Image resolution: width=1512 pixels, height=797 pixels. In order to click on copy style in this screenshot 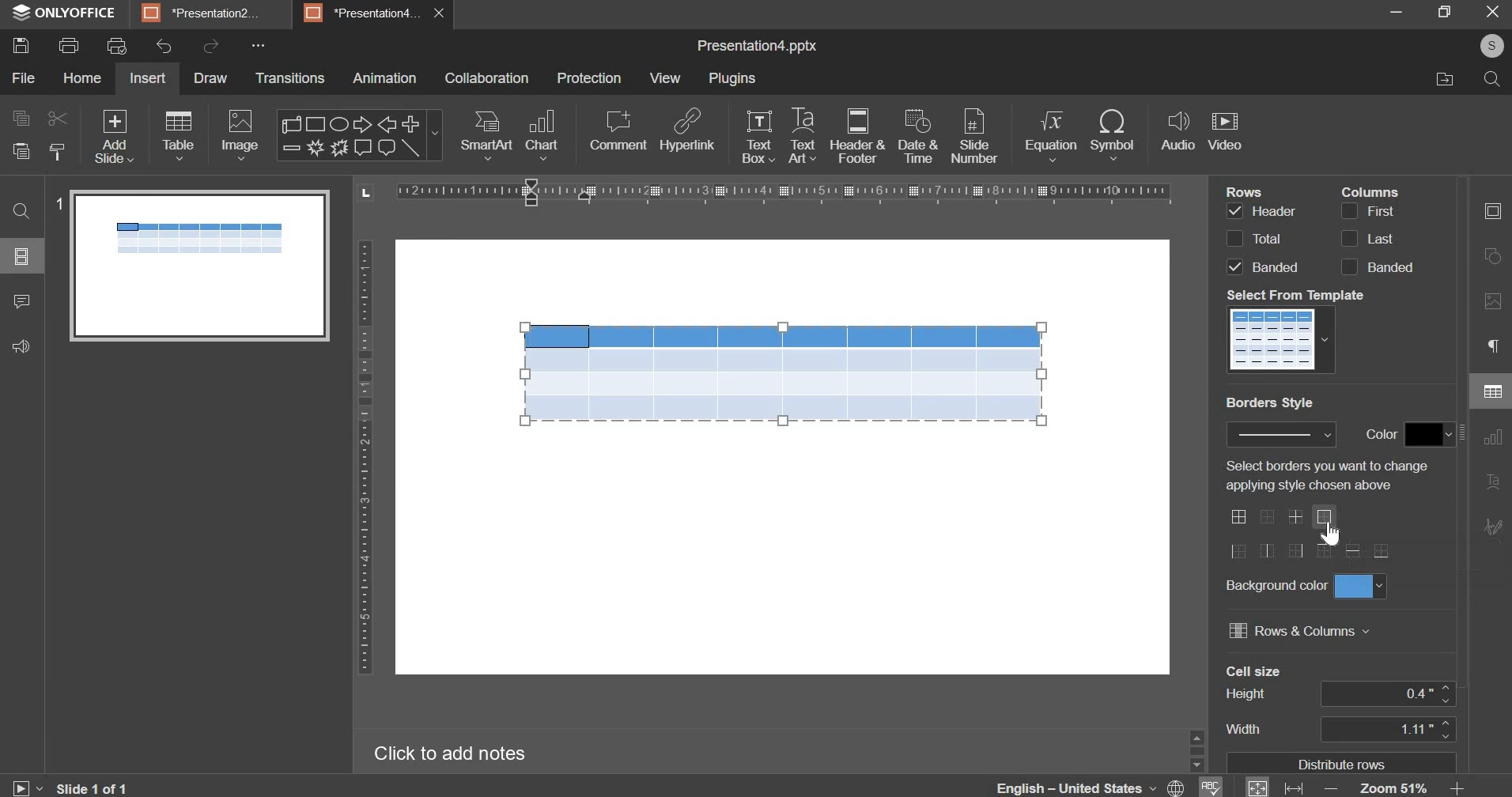, I will do `click(62, 150)`.